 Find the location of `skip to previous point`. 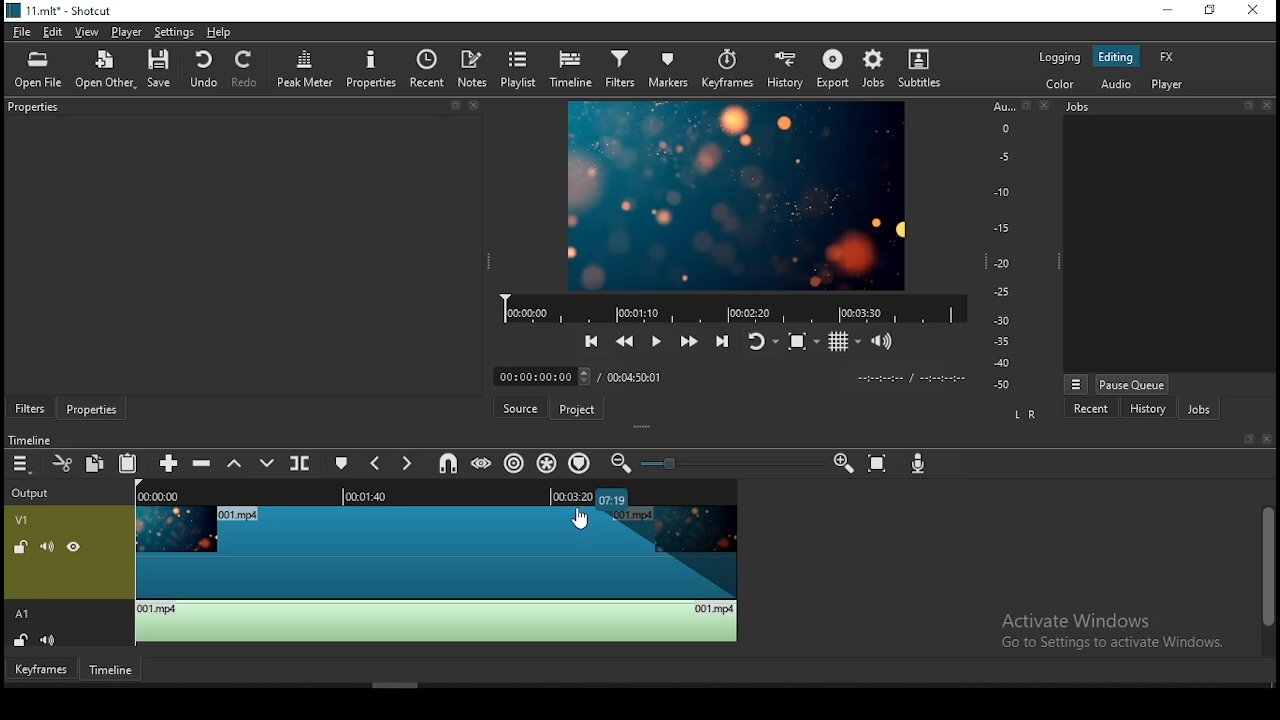

skip to previous point is located at coordinates (592, 341).